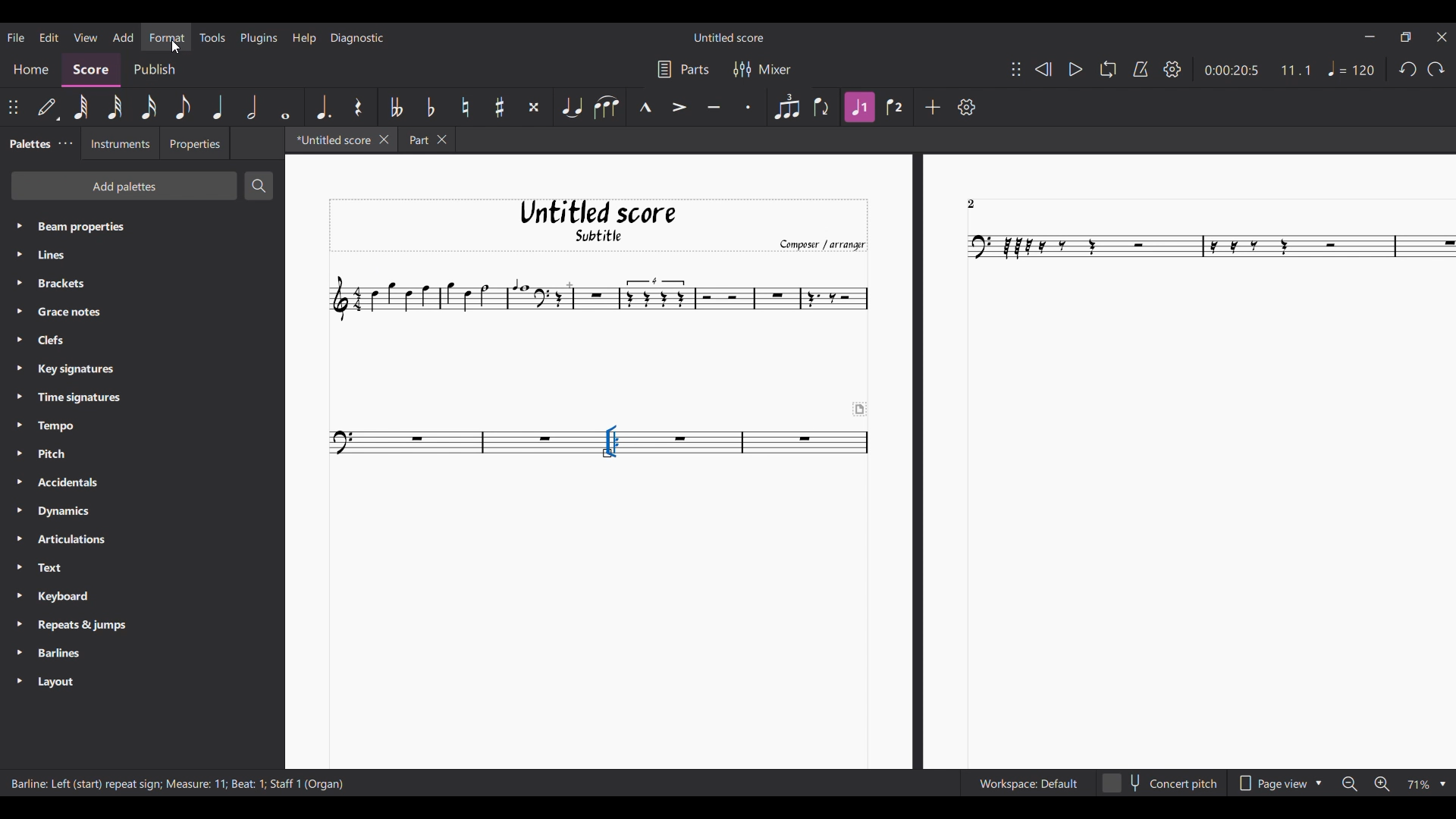  What do you see at coordinates (174, 47) in the screenshot?
I see `Cursor` at bounding box center [174, 47].